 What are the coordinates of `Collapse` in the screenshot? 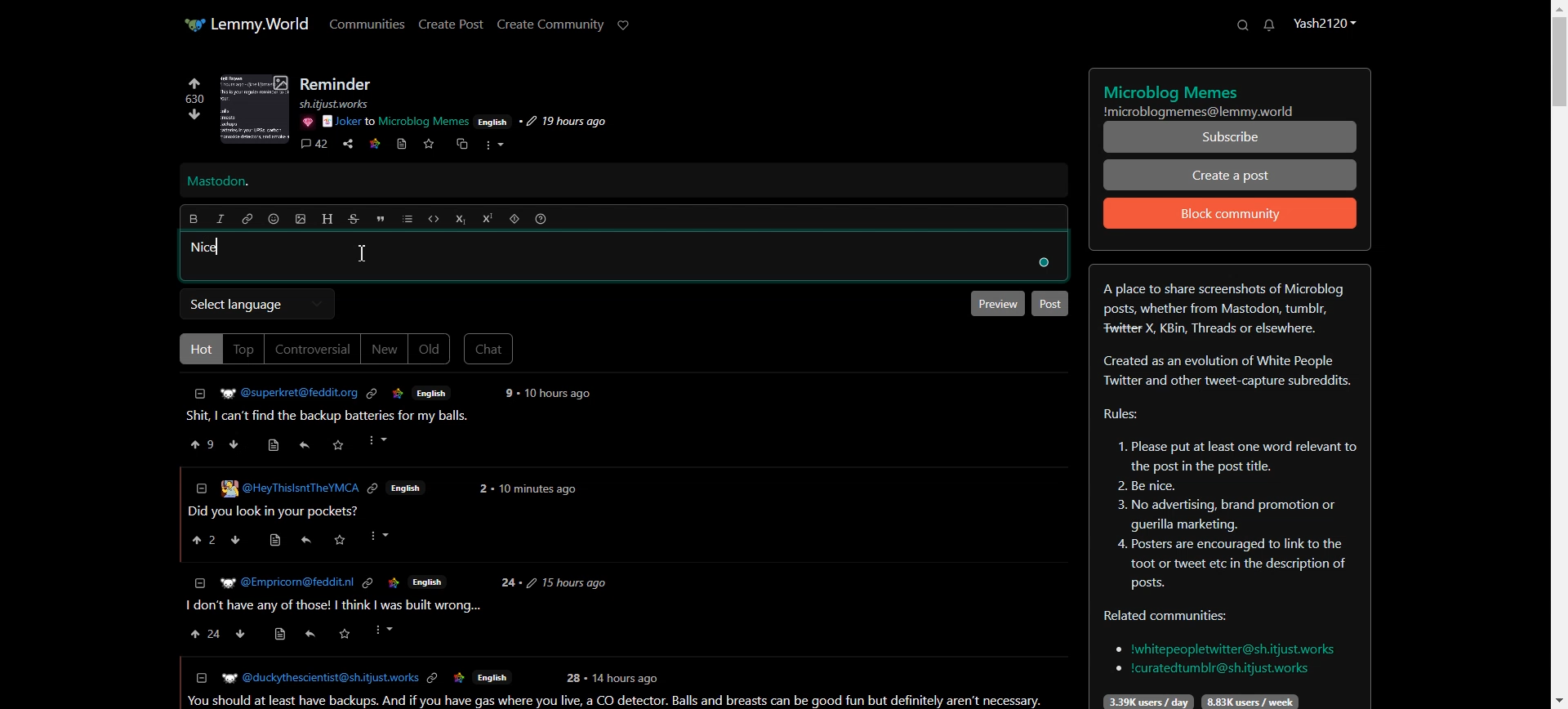 It's located at (200, 394).